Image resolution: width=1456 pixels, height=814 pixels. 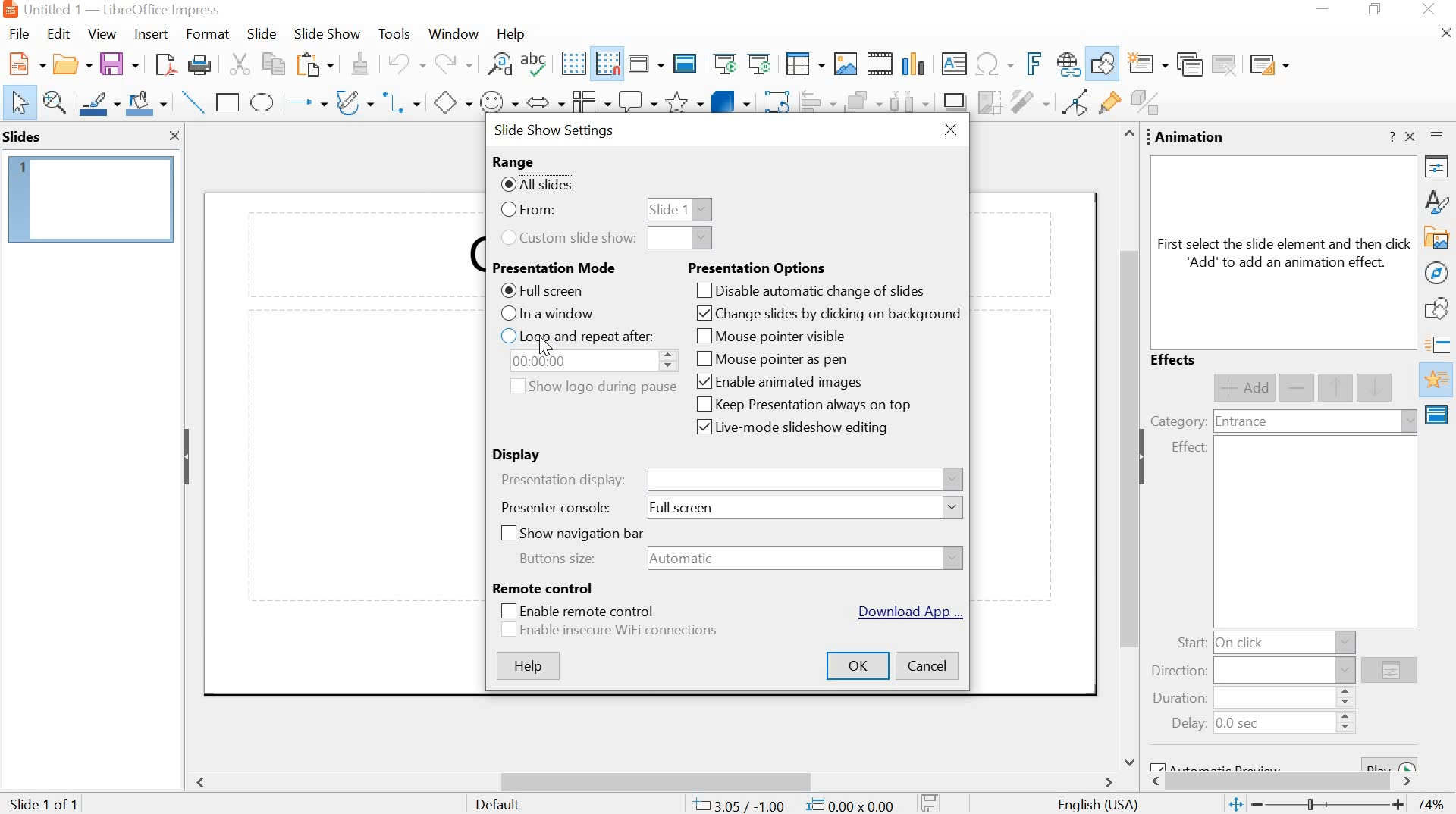 I want to click on delay, so click(x=1189, y=724).